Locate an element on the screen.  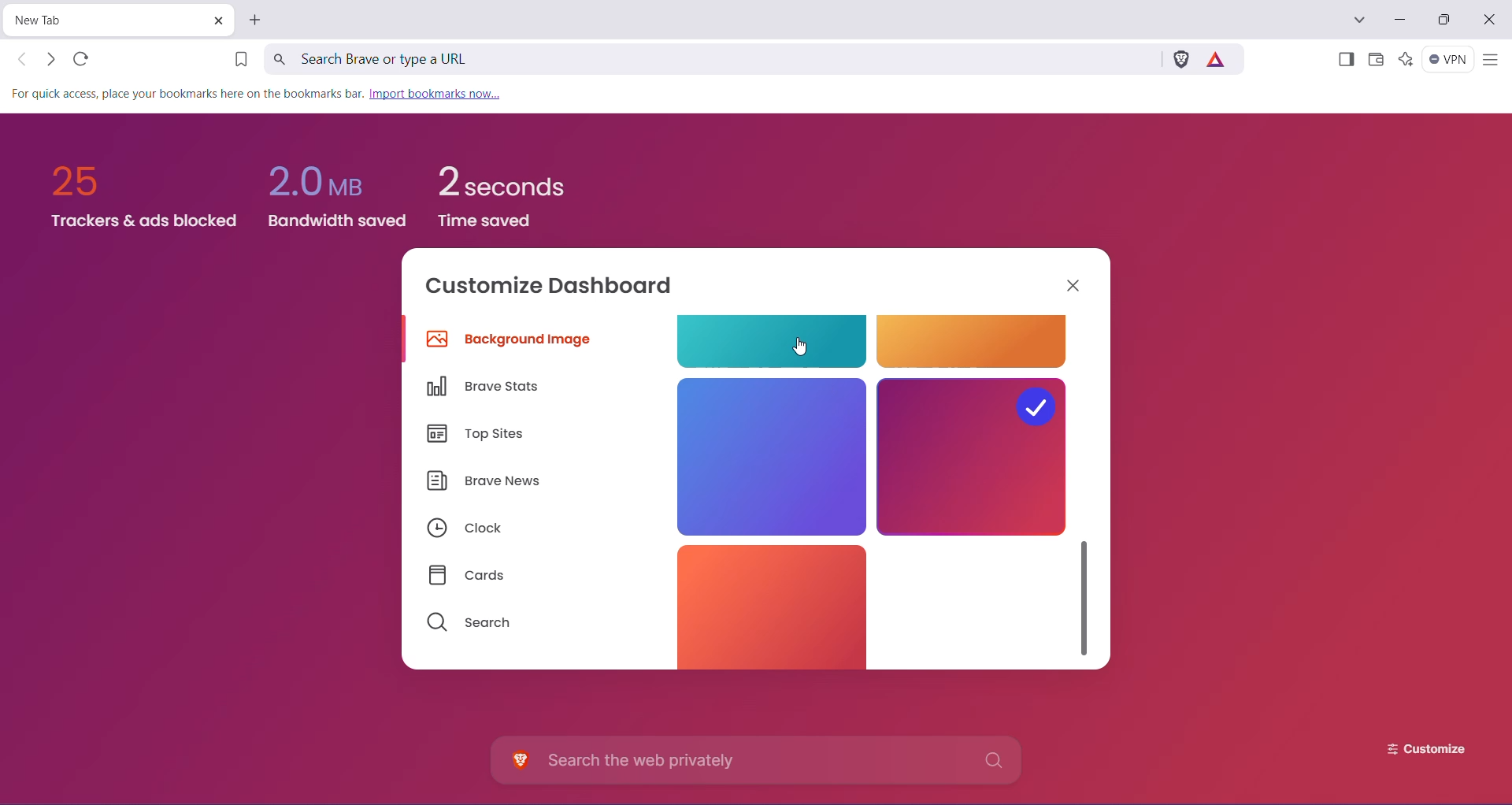
Bookmark this Tab is located at coordinates (235, 61).